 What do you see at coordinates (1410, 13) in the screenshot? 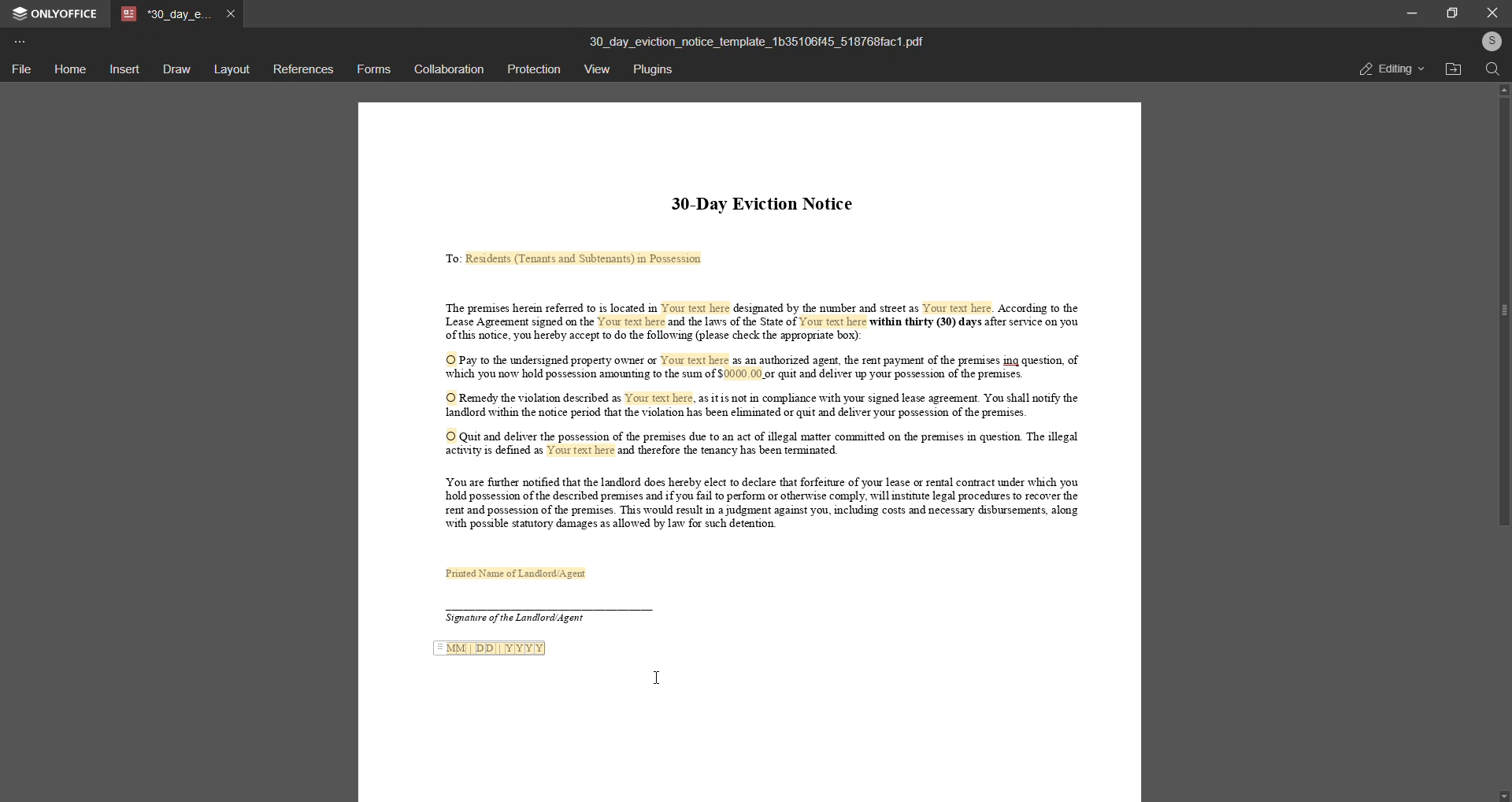
I see `minimize` at bounding box center [1410, 13].